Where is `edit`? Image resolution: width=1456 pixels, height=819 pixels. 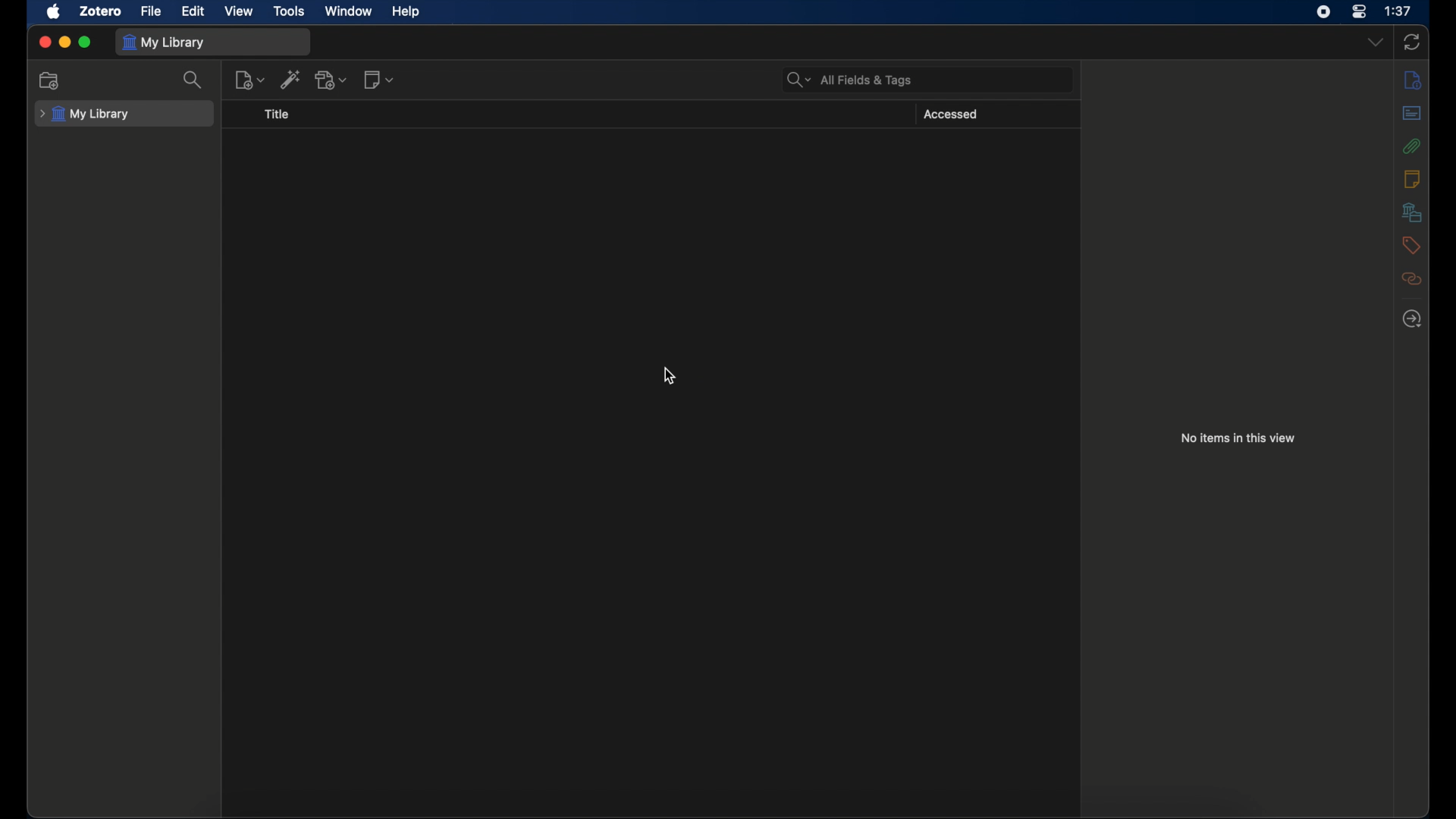 edit is located at coordinates (196, 11).